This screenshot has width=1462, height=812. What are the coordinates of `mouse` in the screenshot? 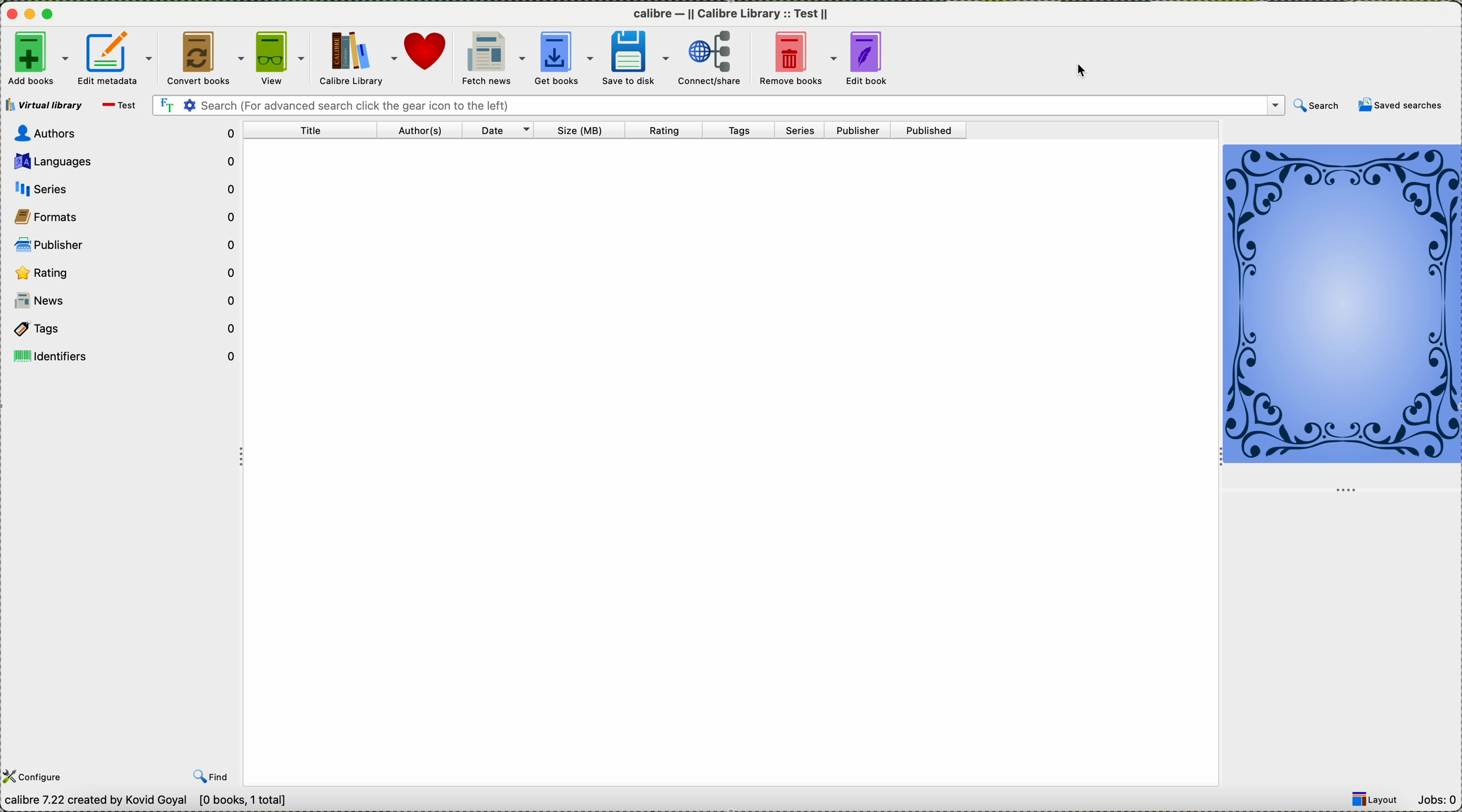 It's located at (1086, 70).